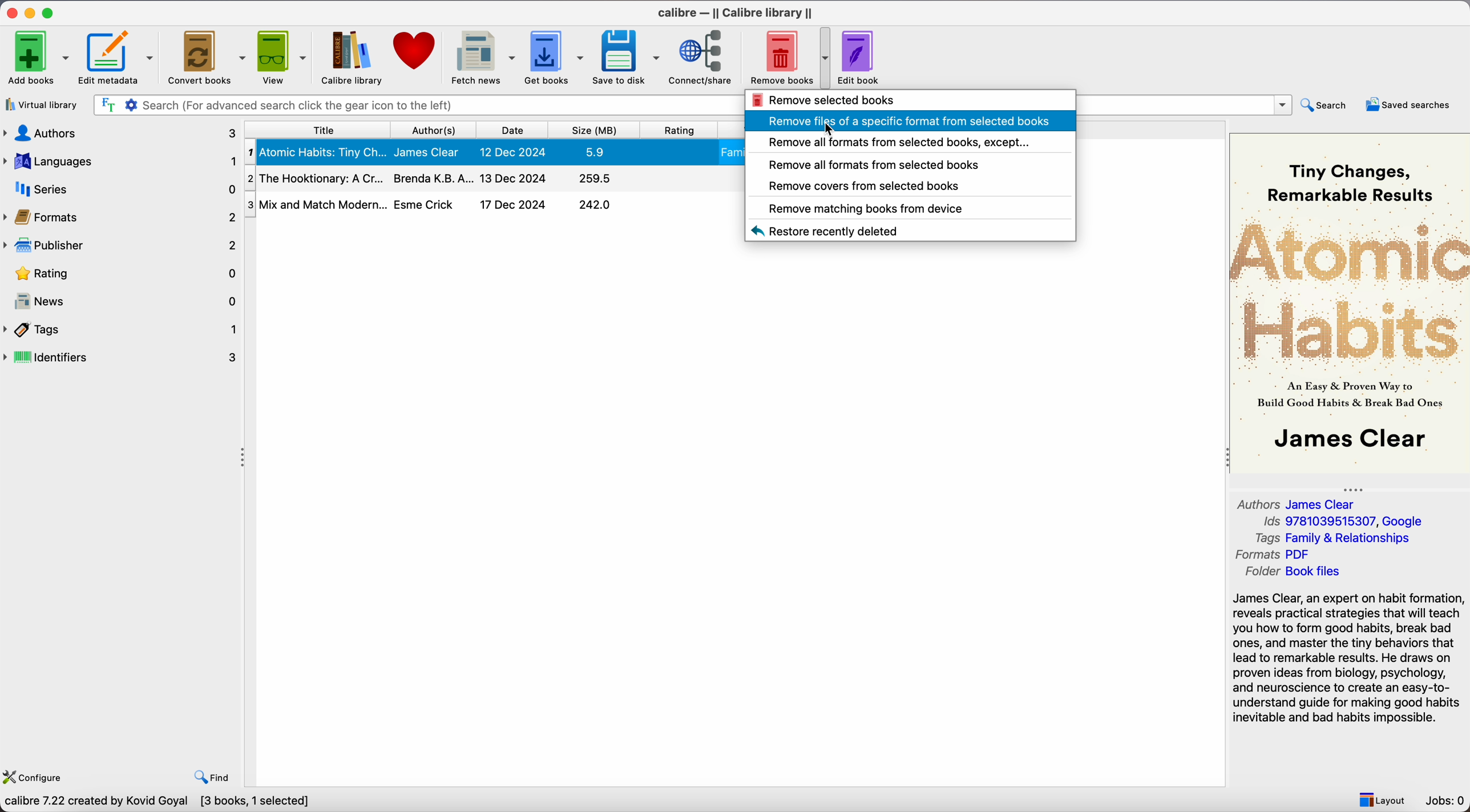 The image size is (1470, 812). What do you see at coordinates (350, 56) in the screenshot?
I see `Calibre library` at bounding box center [350, 56].